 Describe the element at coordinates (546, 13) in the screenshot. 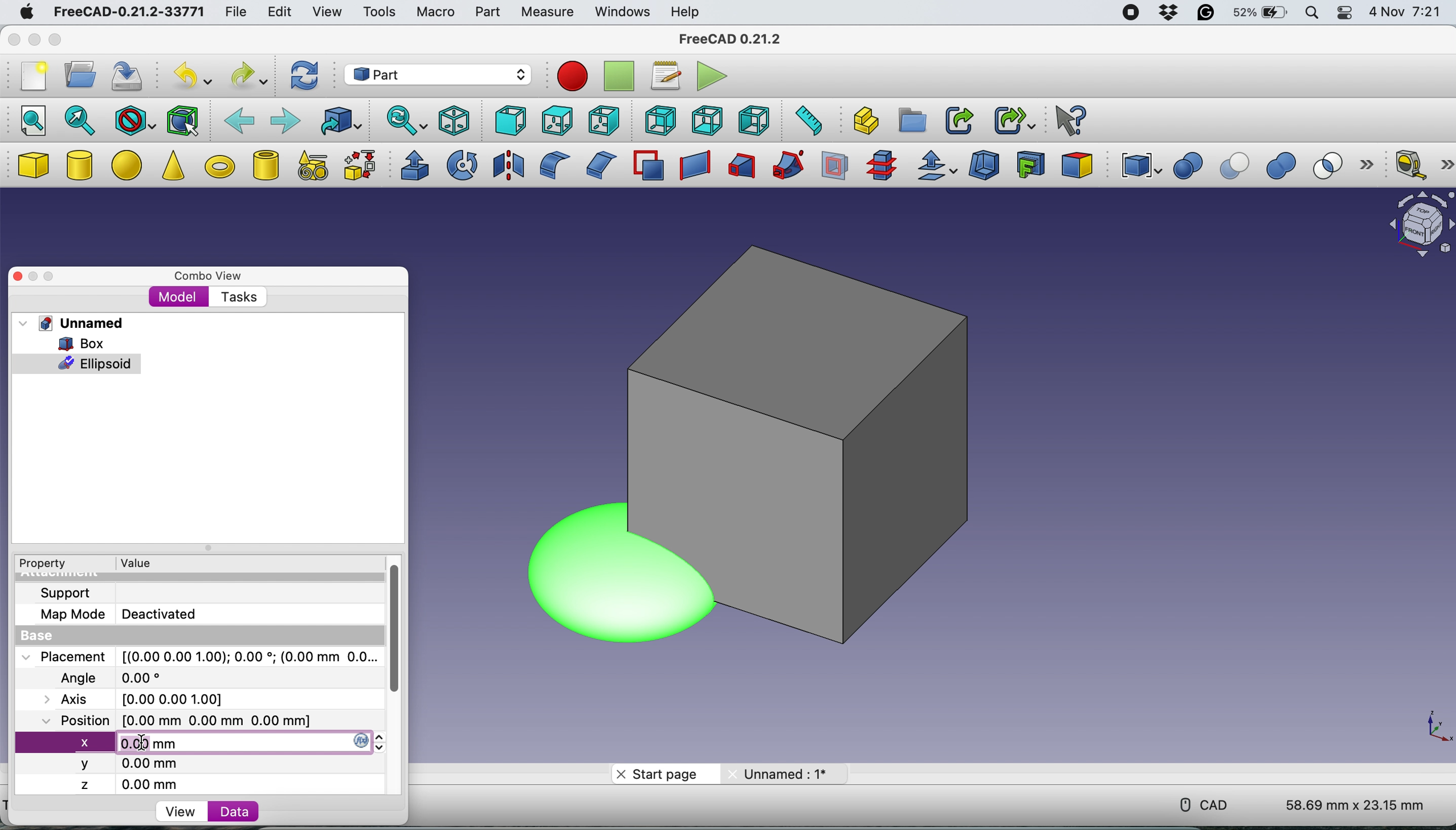

I see `measure` at that location.